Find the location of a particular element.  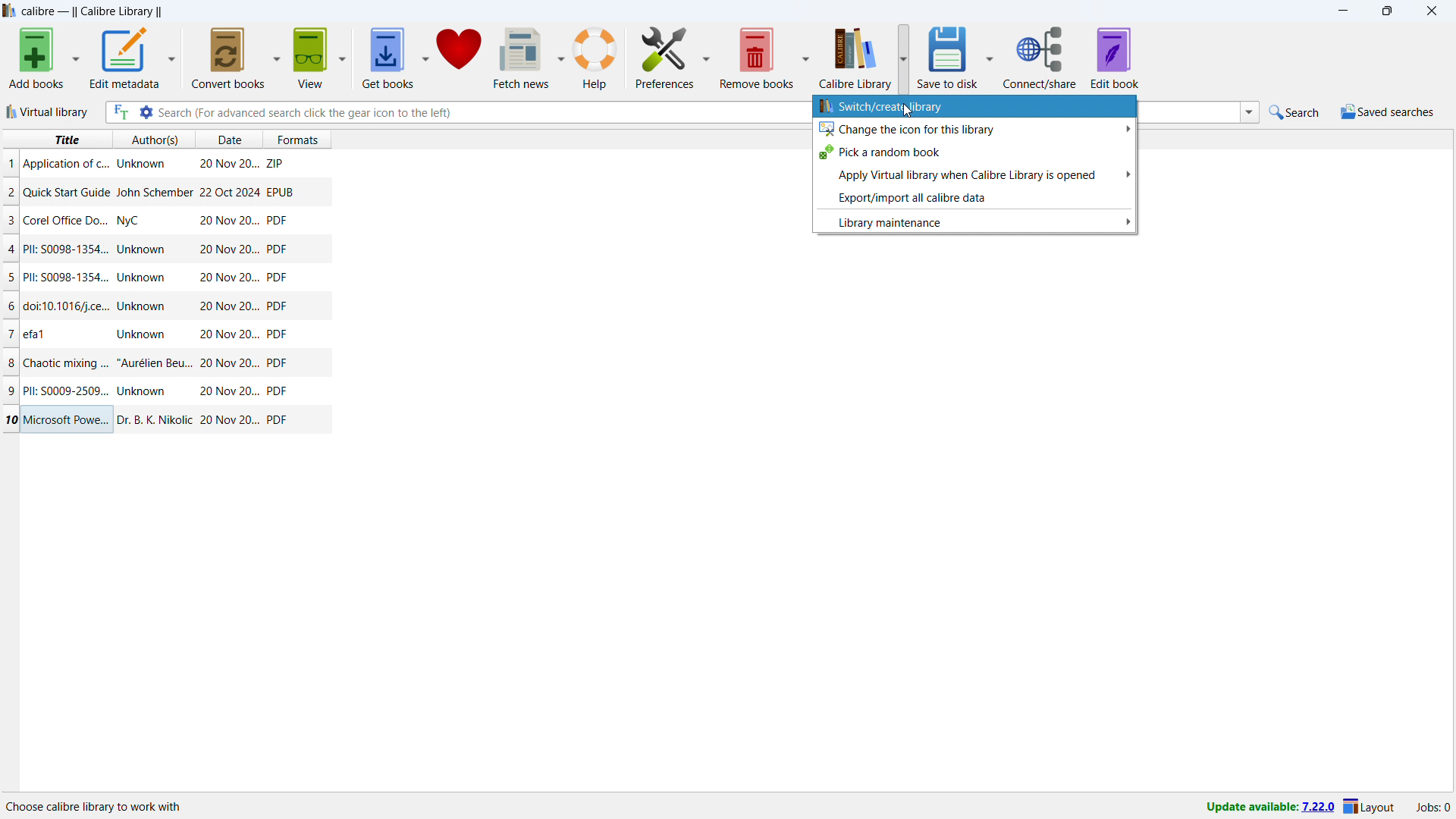

Date is located at coordinates (227, 335).